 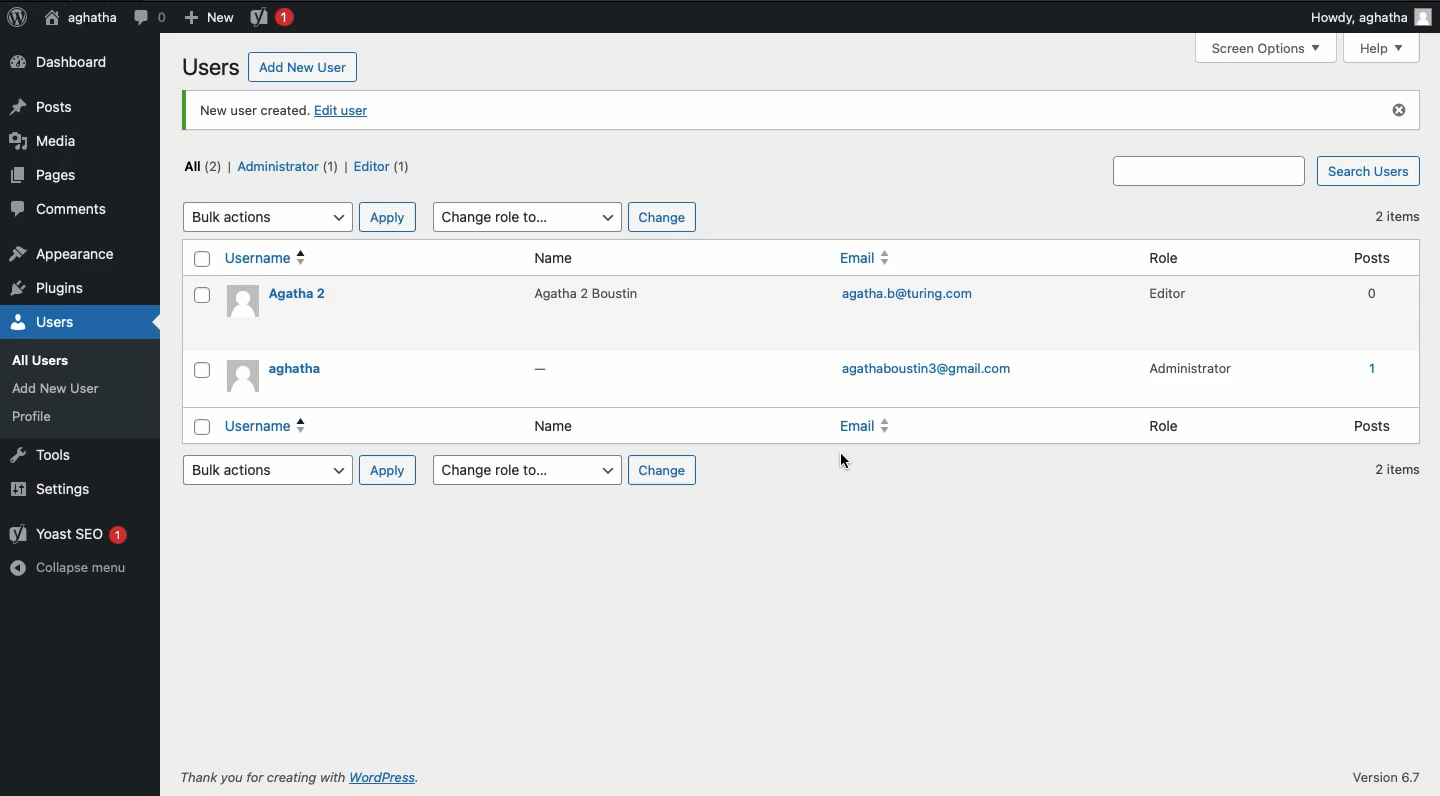 What do you see at coordinates (564, 260) in the screenshot?
I see `Name` at bounding box center [564, 260].